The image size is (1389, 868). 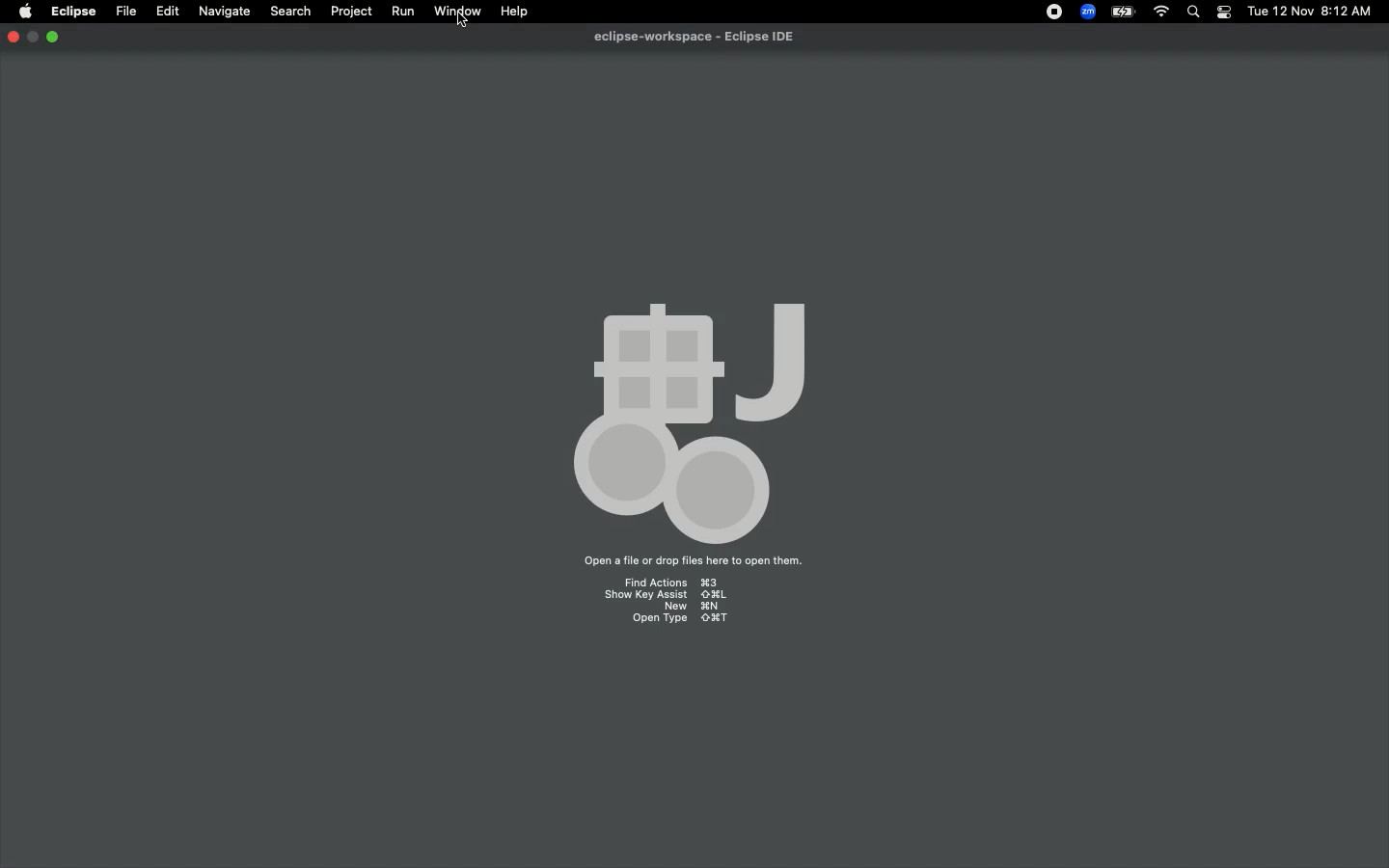 I want to click on Minimize, so click(x=33, y=38).